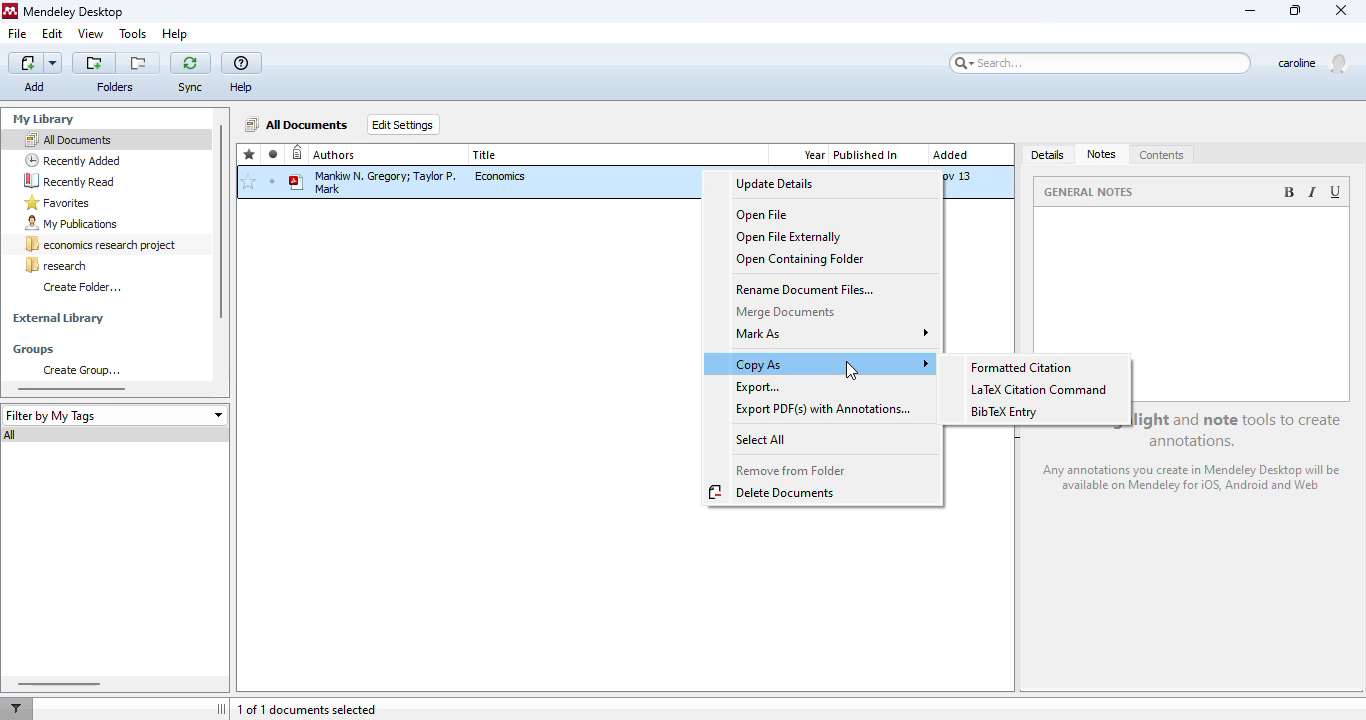 Image resolution: width=1366 pixels, height=720 pixels. Describe the element at coordinates (763, 439) in the screenshot. I see `select all` at that location.